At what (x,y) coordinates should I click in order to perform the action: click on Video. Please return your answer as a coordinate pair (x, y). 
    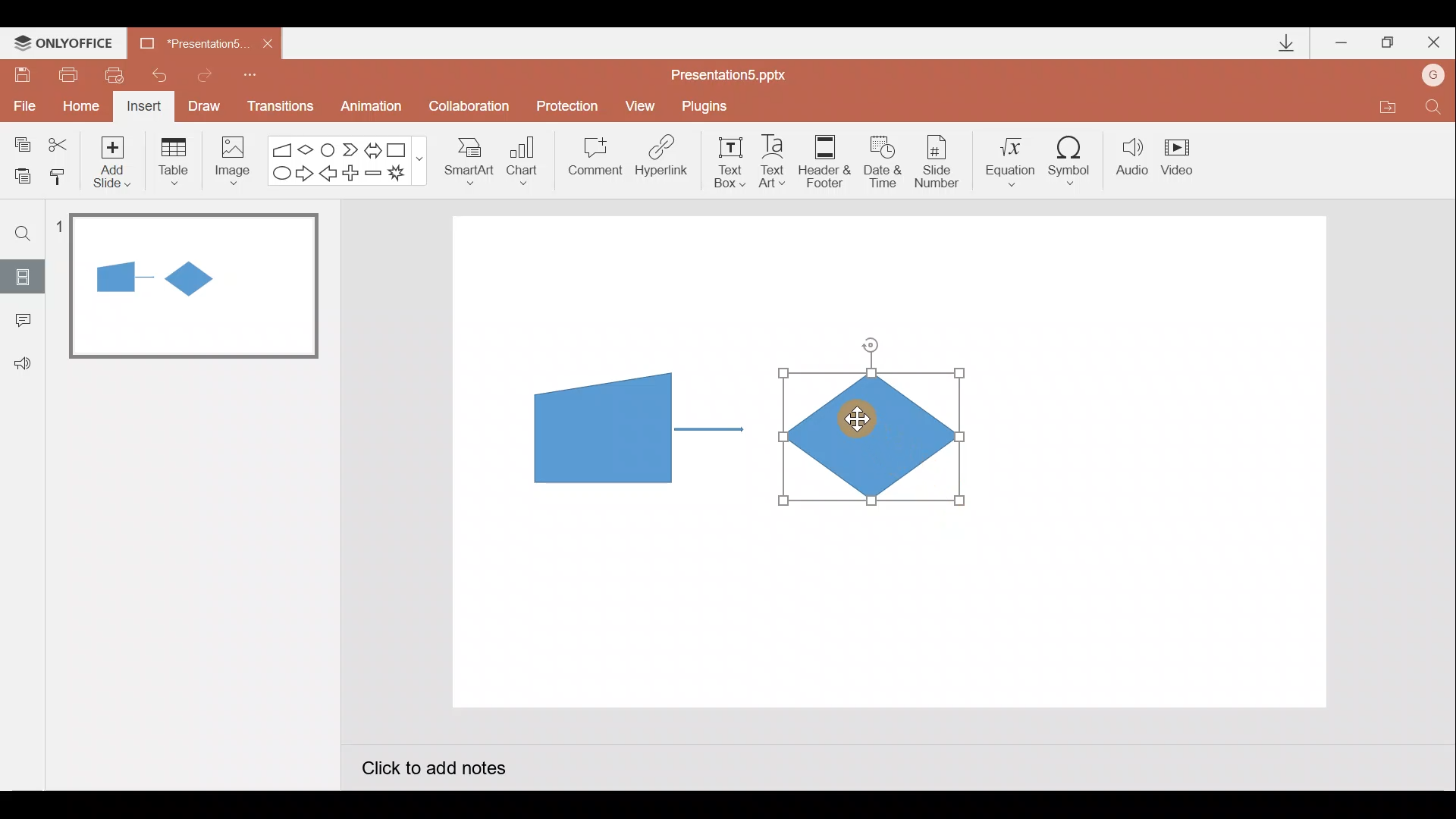
    Looking at the image, I should click on (1183, 158).